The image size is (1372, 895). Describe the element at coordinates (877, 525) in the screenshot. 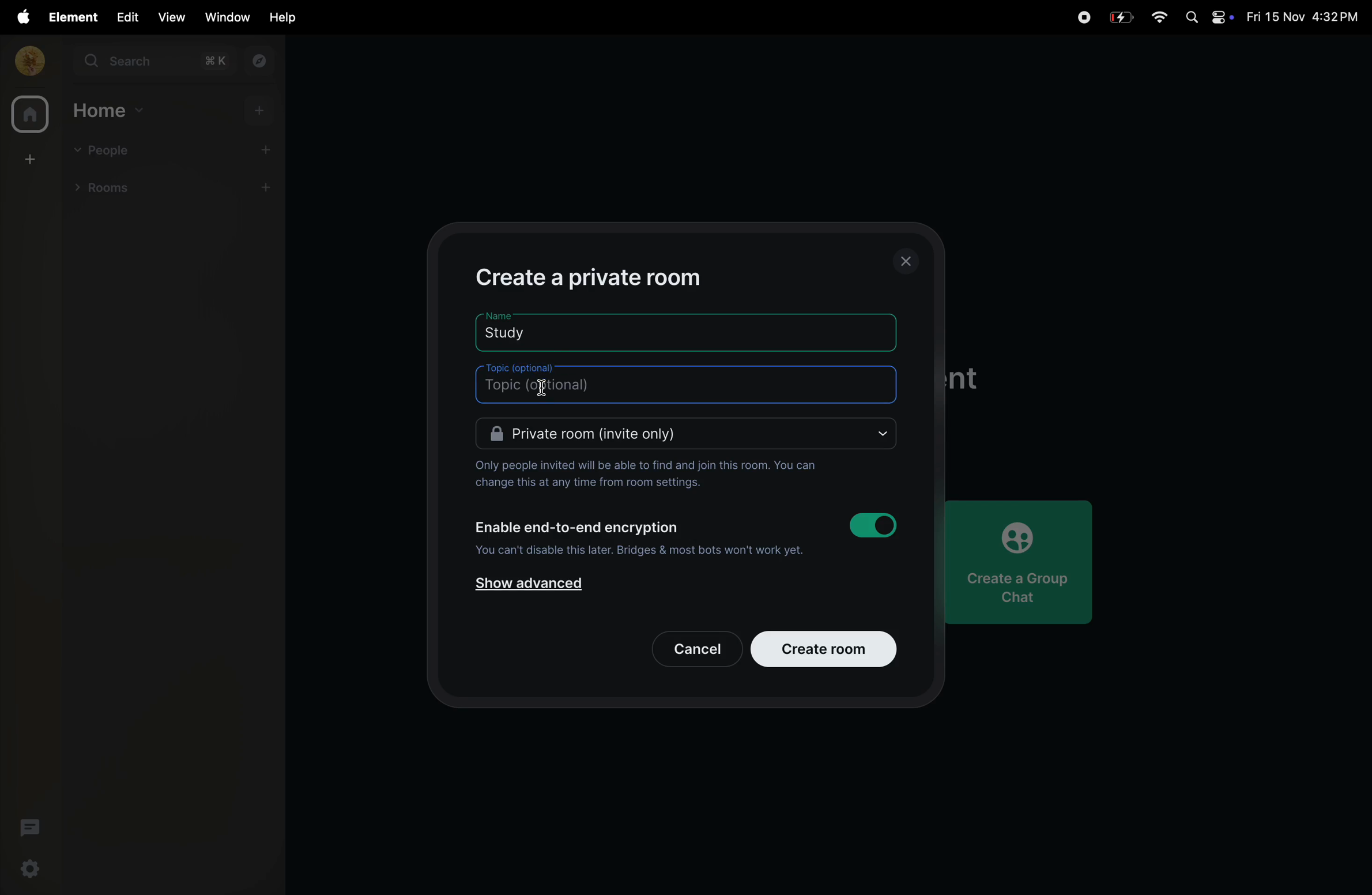

I see `toggle on` at that location.